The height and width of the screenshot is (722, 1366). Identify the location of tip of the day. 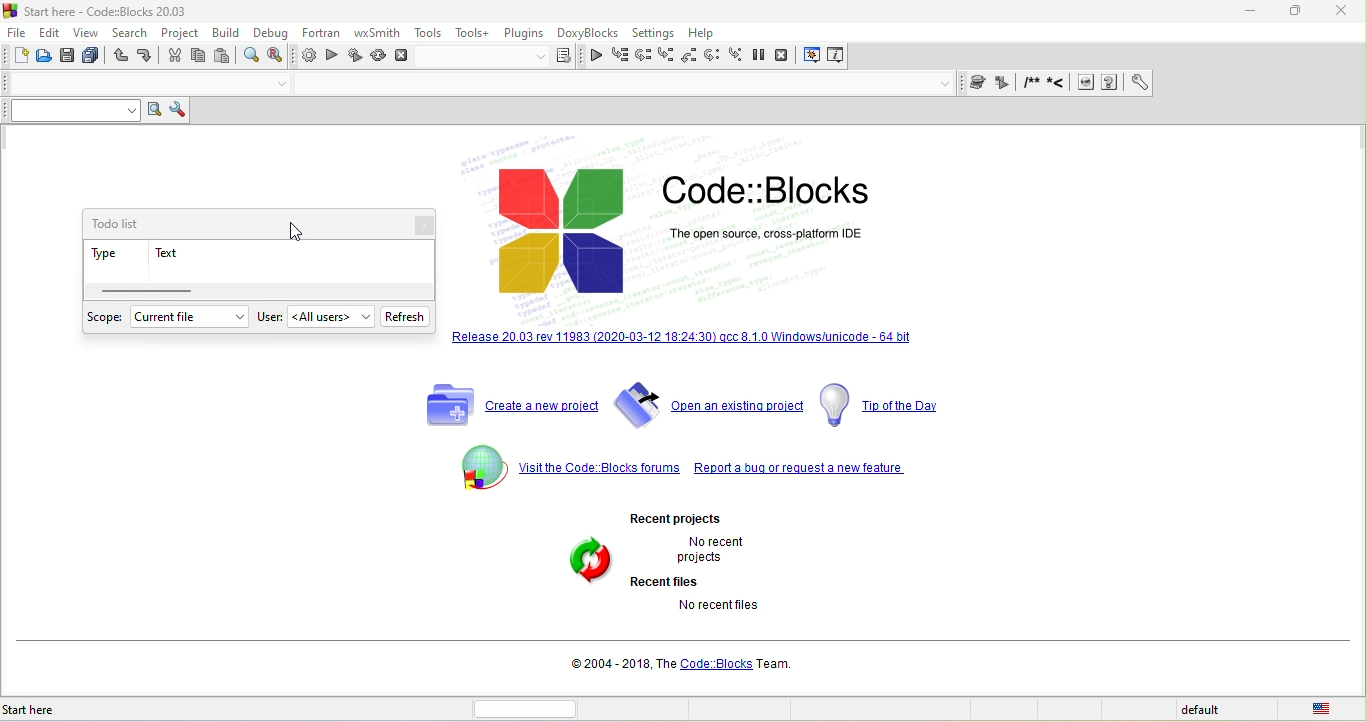
(886, 406).